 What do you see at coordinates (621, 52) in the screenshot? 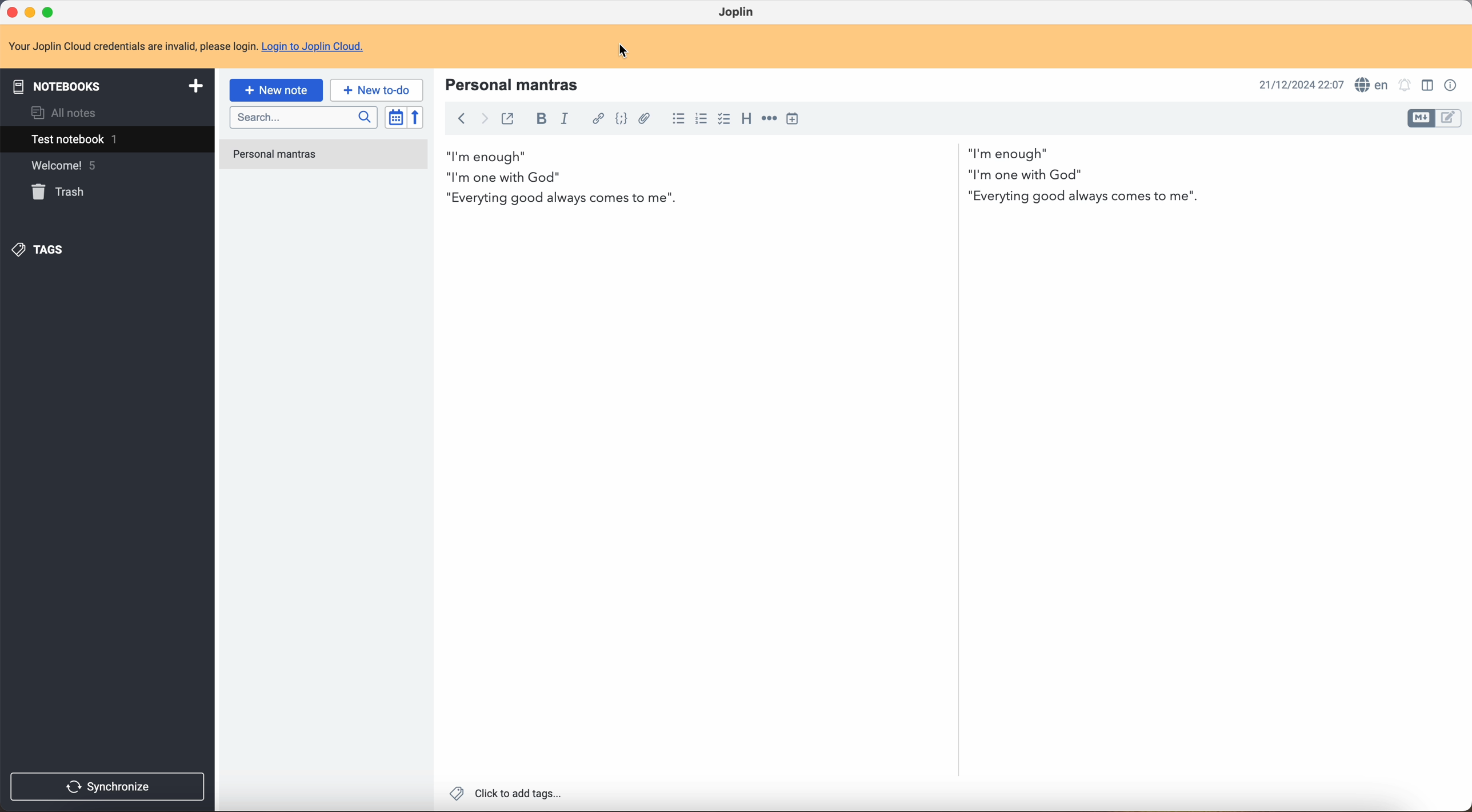
I see `cursor` at bounding box center [621, 52].